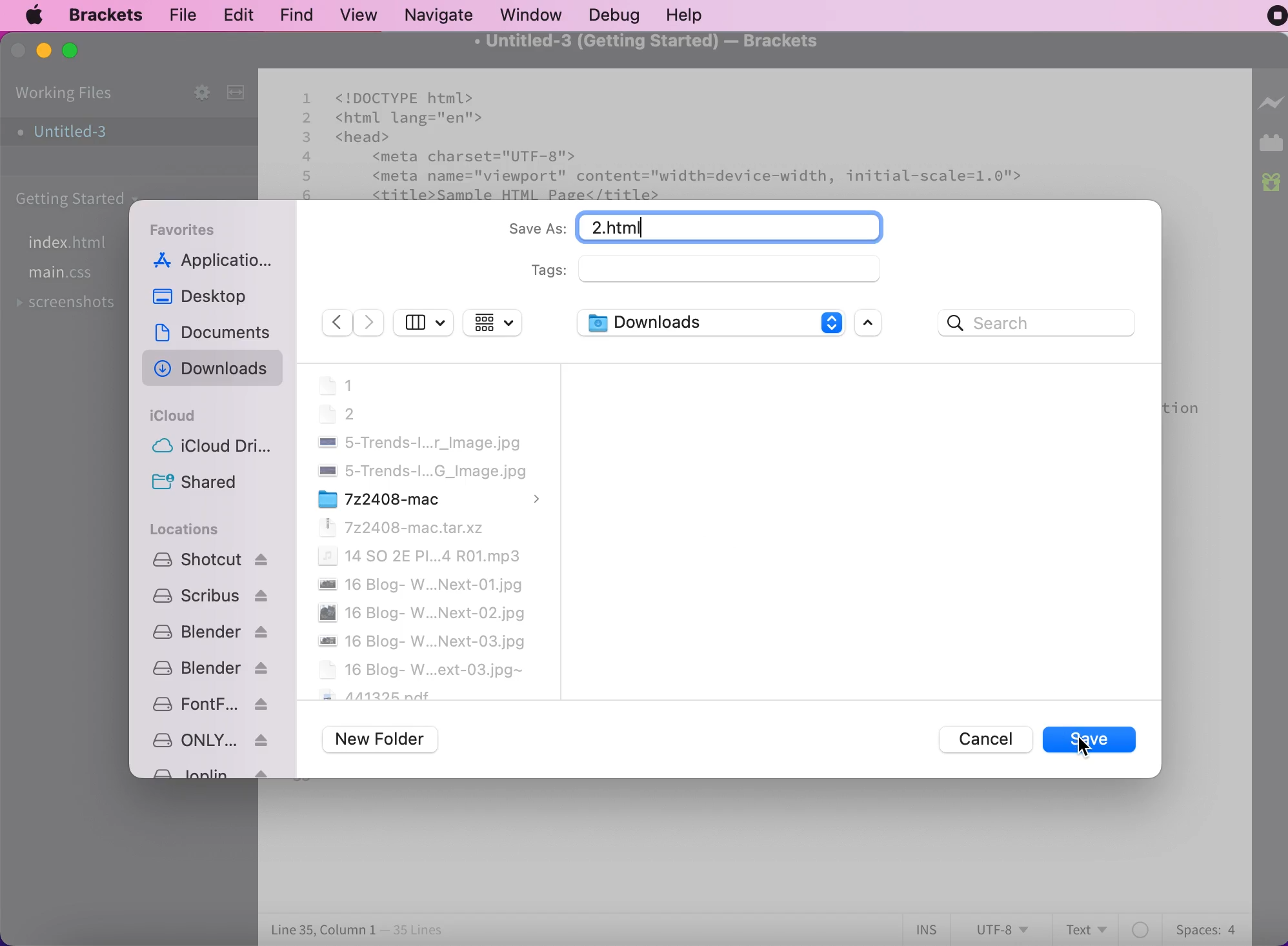 This screenshot has height=946, width=1288. I want to click on configure working set, so click(197, 90).